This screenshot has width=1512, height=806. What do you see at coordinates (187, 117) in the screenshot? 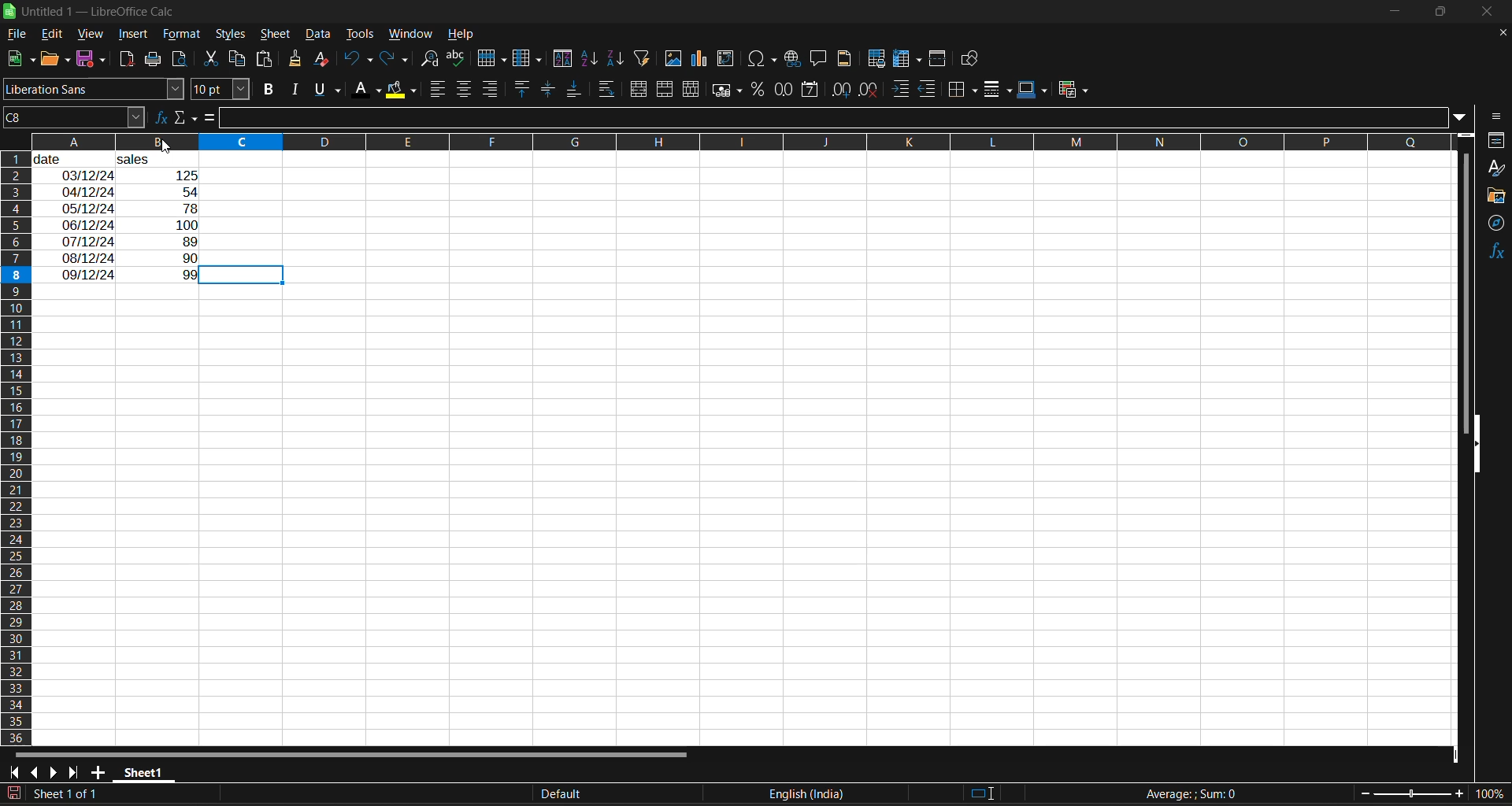
I see `select function` at bounding box center [187, 117].